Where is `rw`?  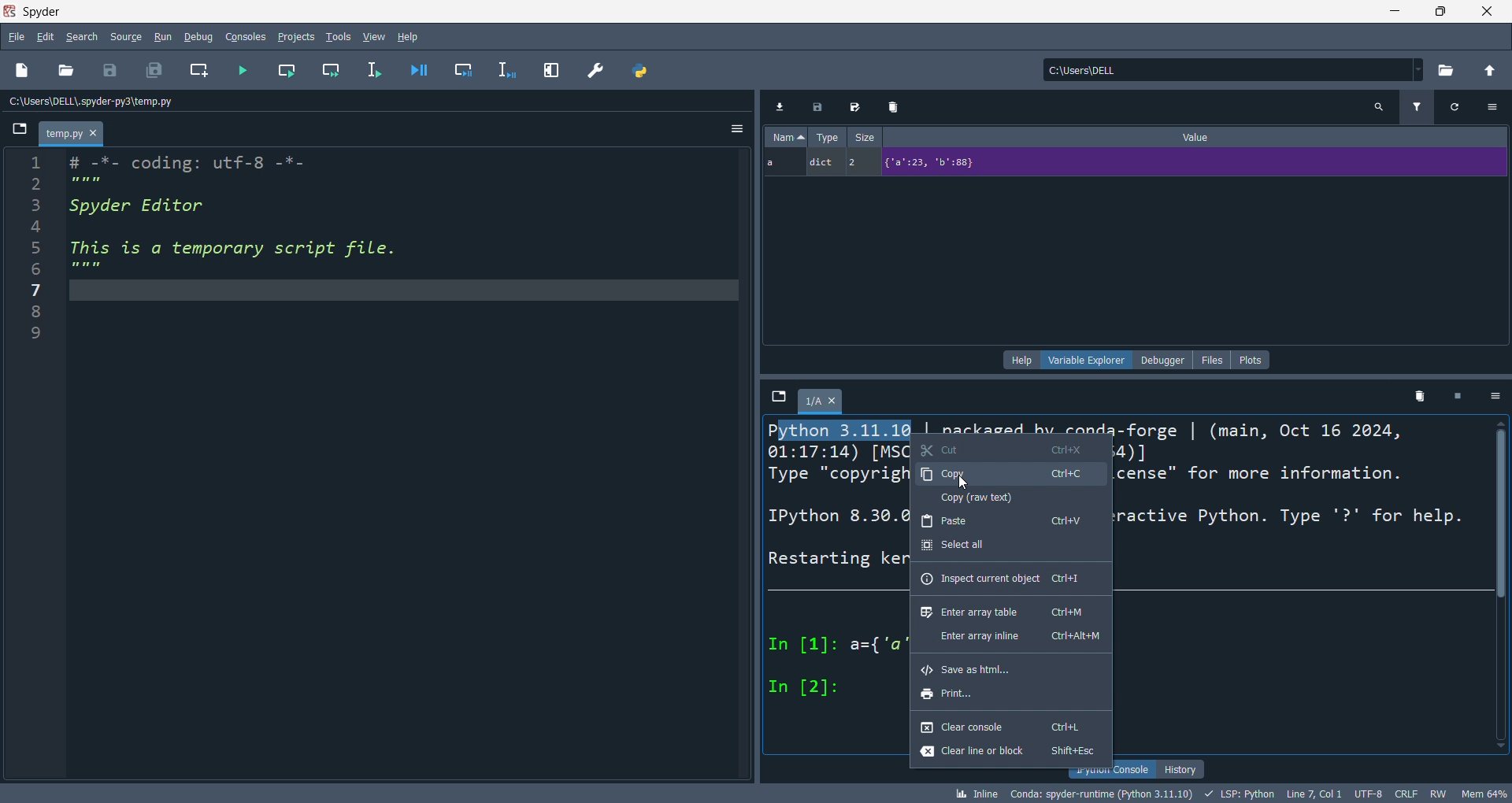 rw is located at coordinates (1437, 793).